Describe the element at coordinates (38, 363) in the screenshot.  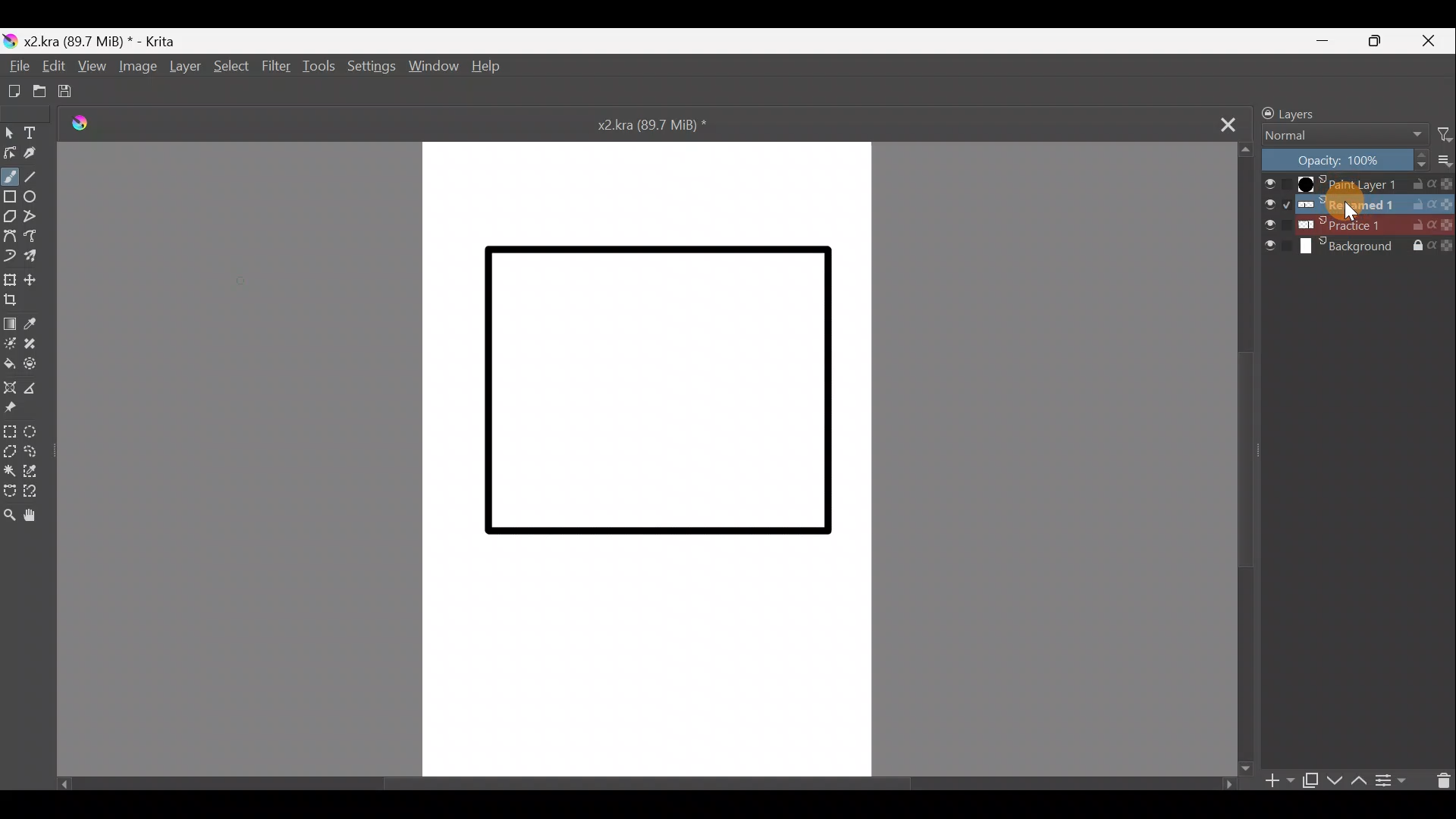
I see `Enclose & fill tool` at that location.